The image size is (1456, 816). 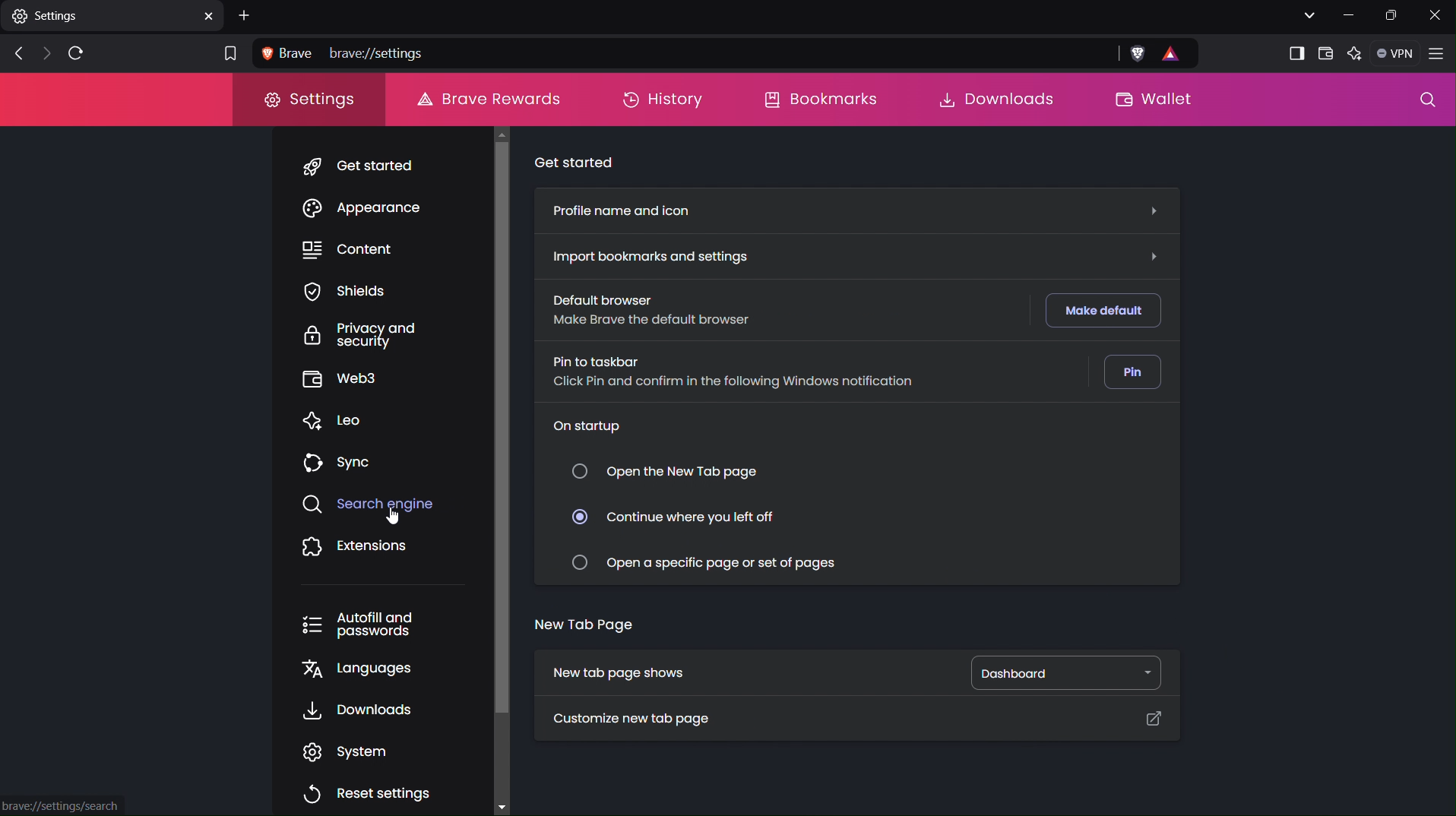 I want to click on Wallet, so click(x=1163, y=101).